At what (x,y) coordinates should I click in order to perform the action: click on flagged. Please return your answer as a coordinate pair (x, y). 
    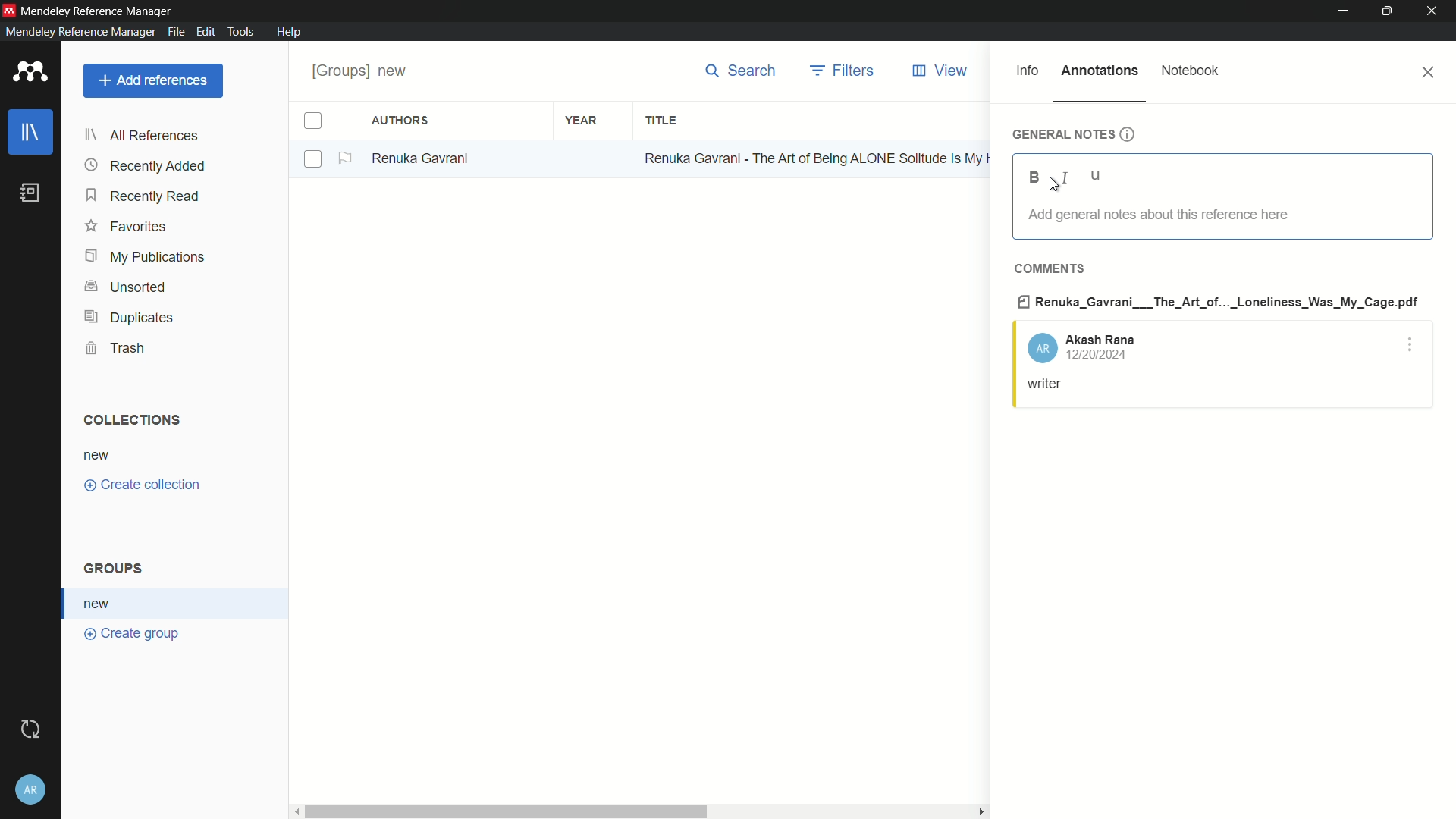
    Looking at the image, I should click on (347, 158).